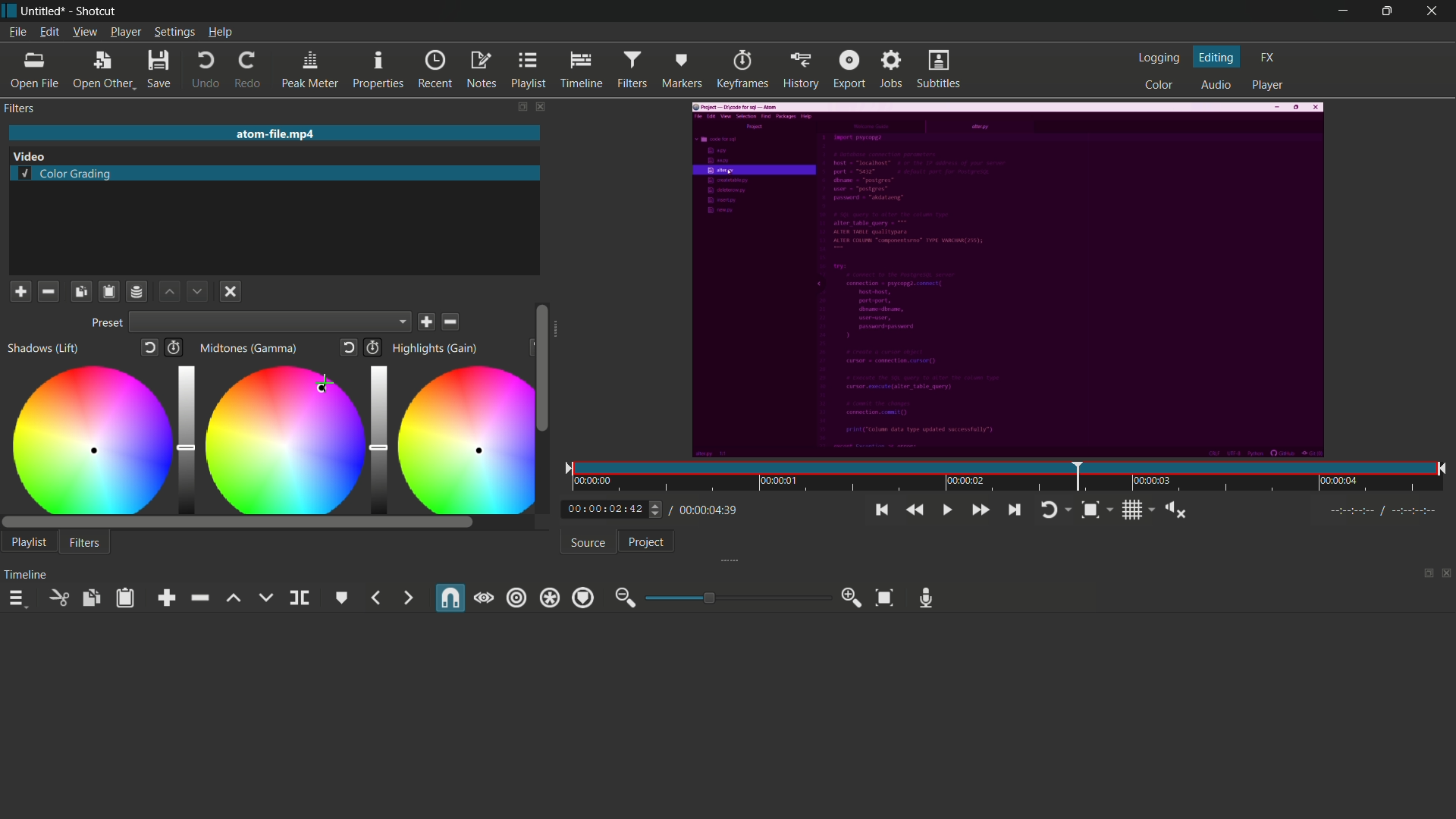 This screenshot has width=1456, height=819. I want to click on ripple, so click(516, 597).